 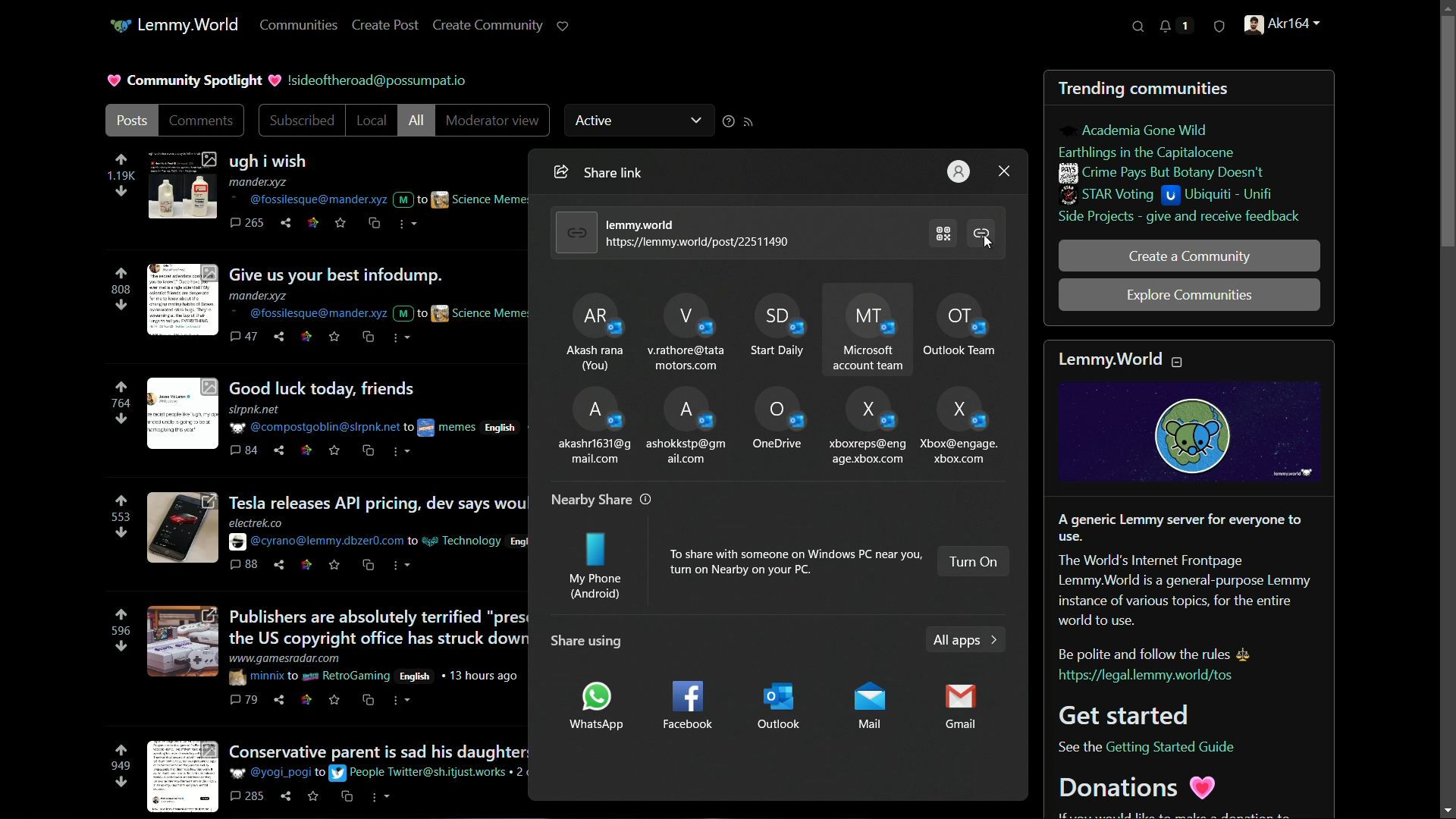 What do you see at coordinates (277, 450) in the screenshot?
I see `share` at bounding box center [277, 450].